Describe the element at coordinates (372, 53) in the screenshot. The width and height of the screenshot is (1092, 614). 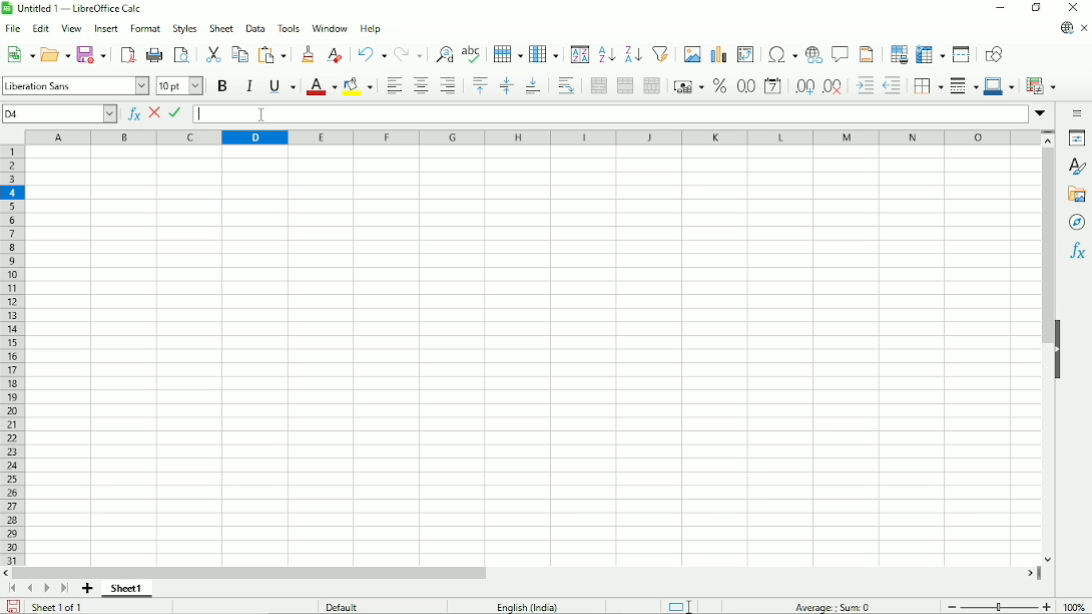
I see `Undo` at that location.